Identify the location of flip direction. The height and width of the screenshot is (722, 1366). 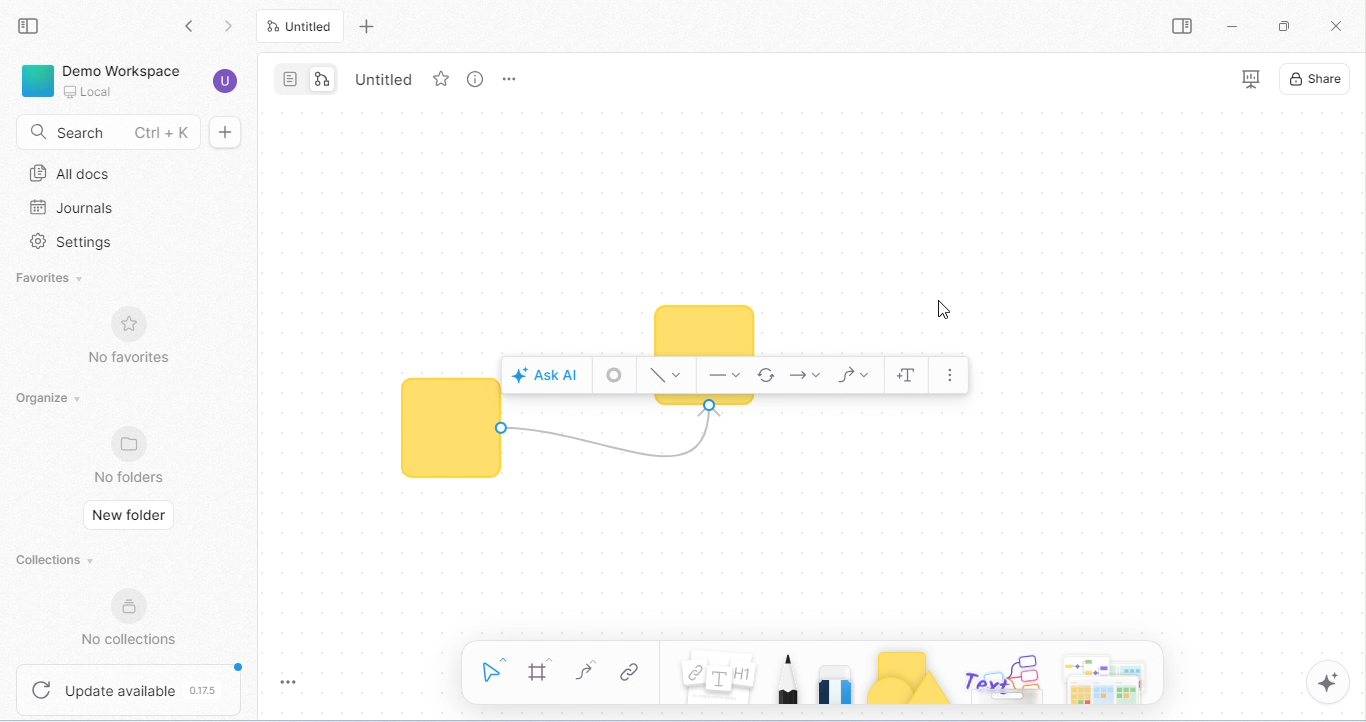
(768, 376).